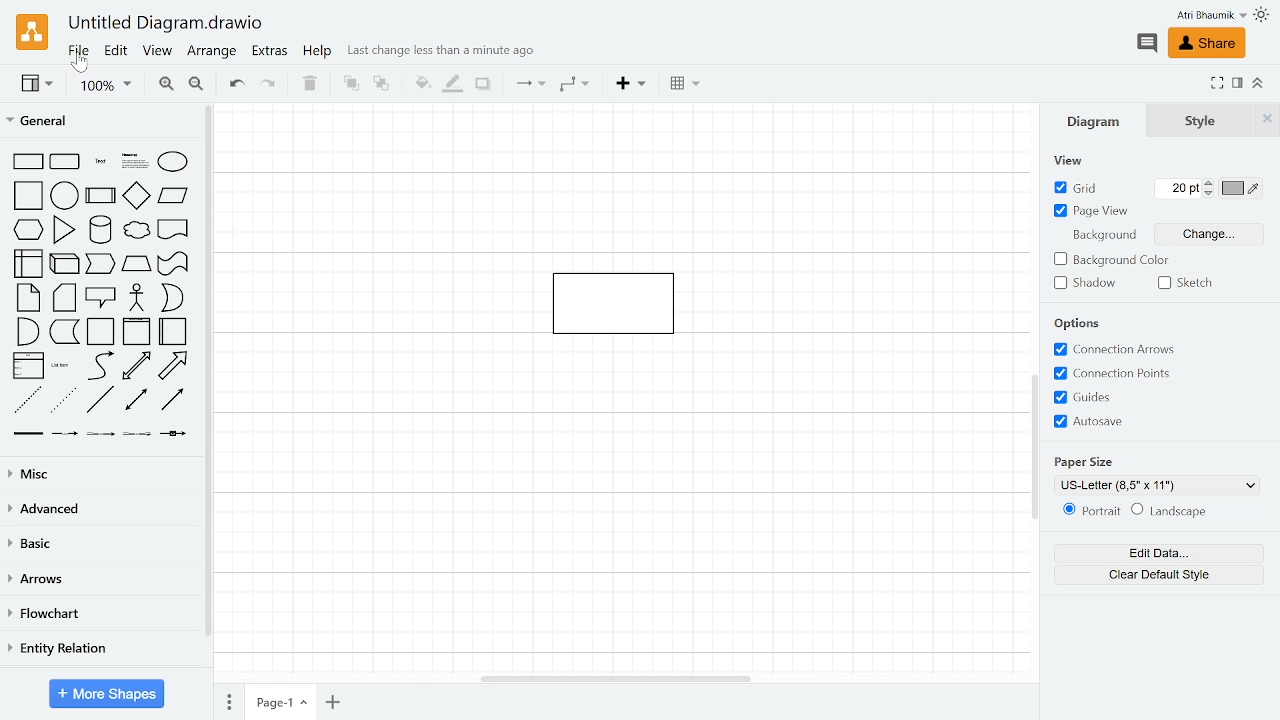 The height and width of the screenshot is (720, 1280). I want to click on background color, so click(1110, 261).